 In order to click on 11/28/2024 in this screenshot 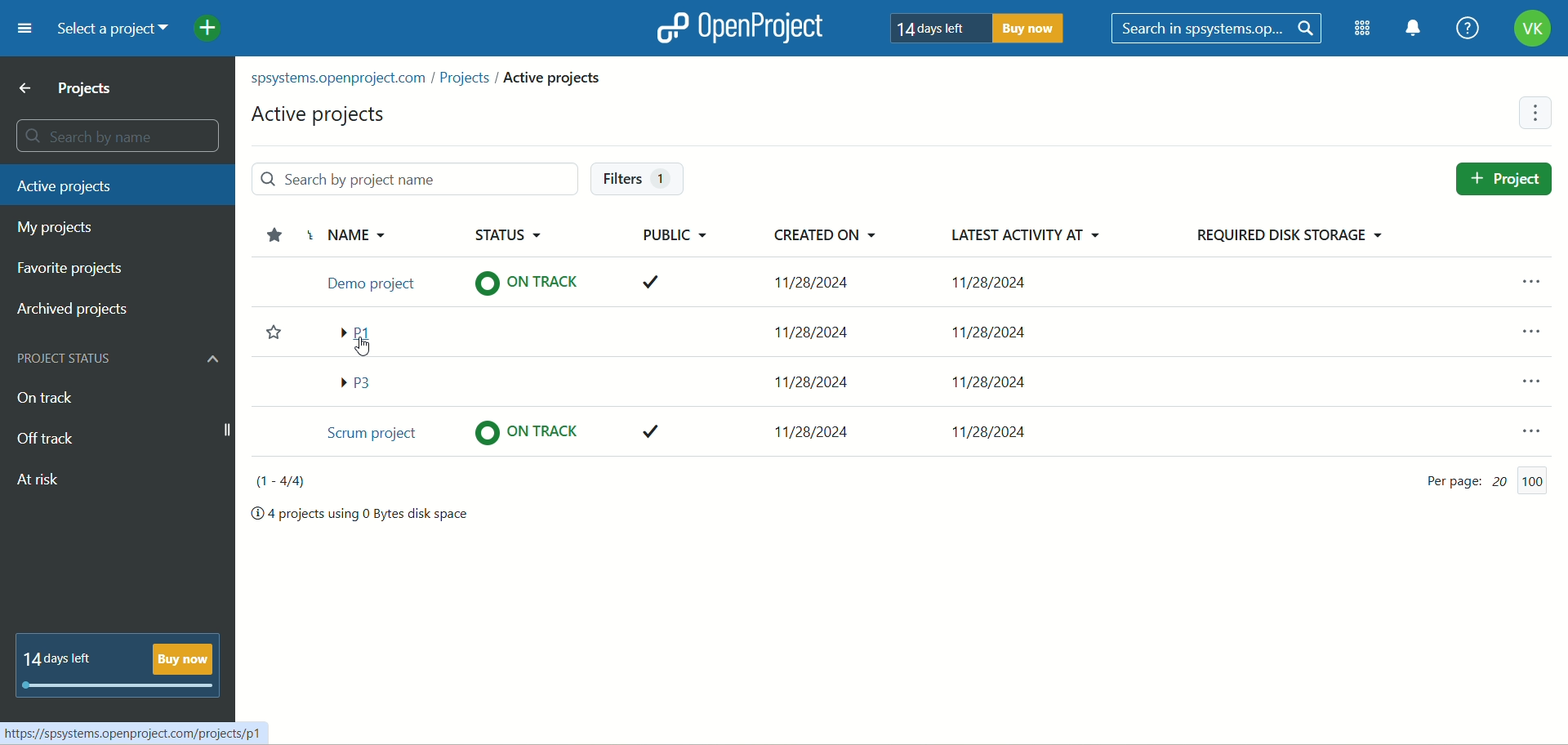, I will do `click(1004, 380)`.